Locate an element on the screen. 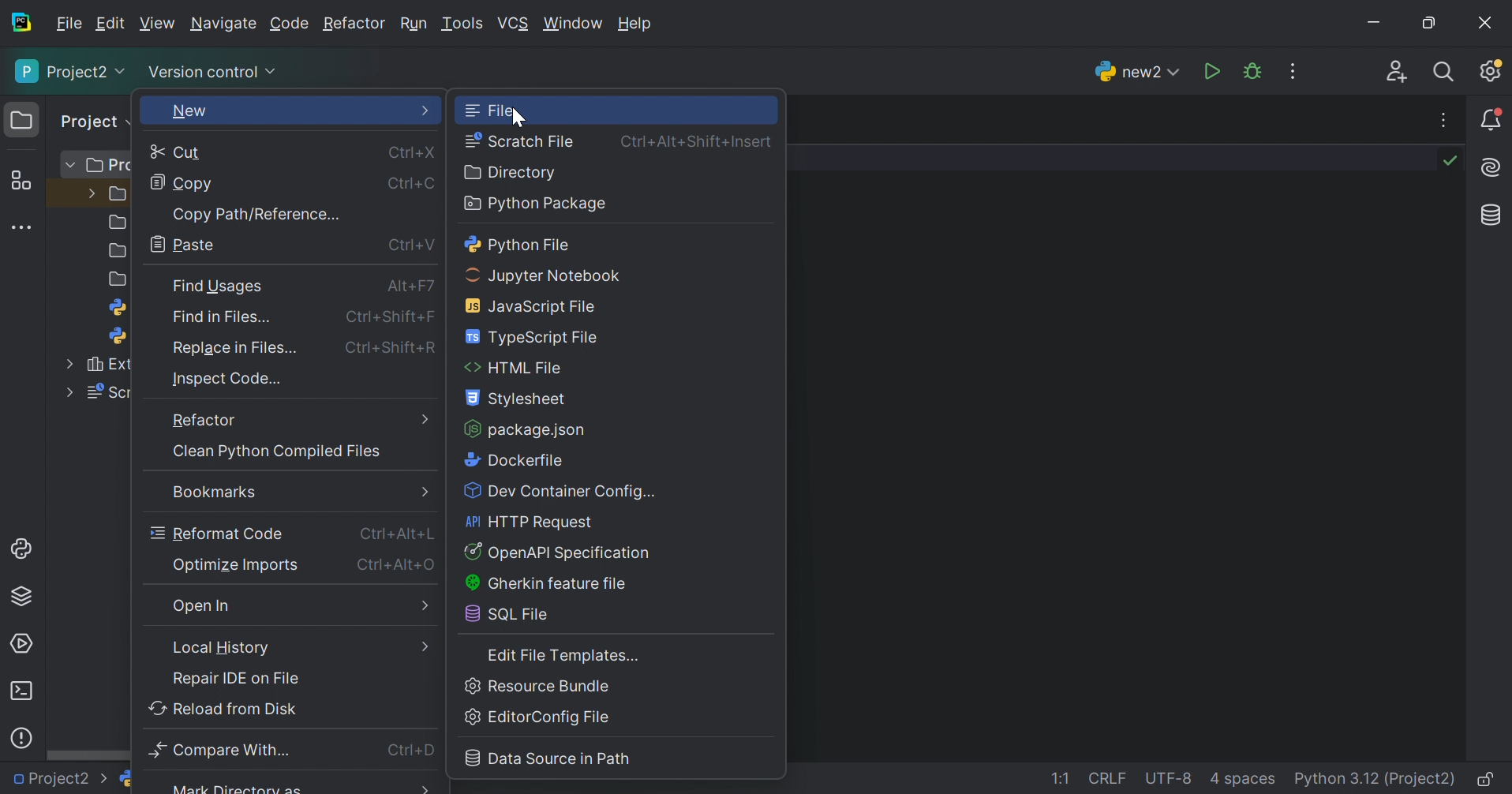  JavaScript file is located at coordinates (537, 305).